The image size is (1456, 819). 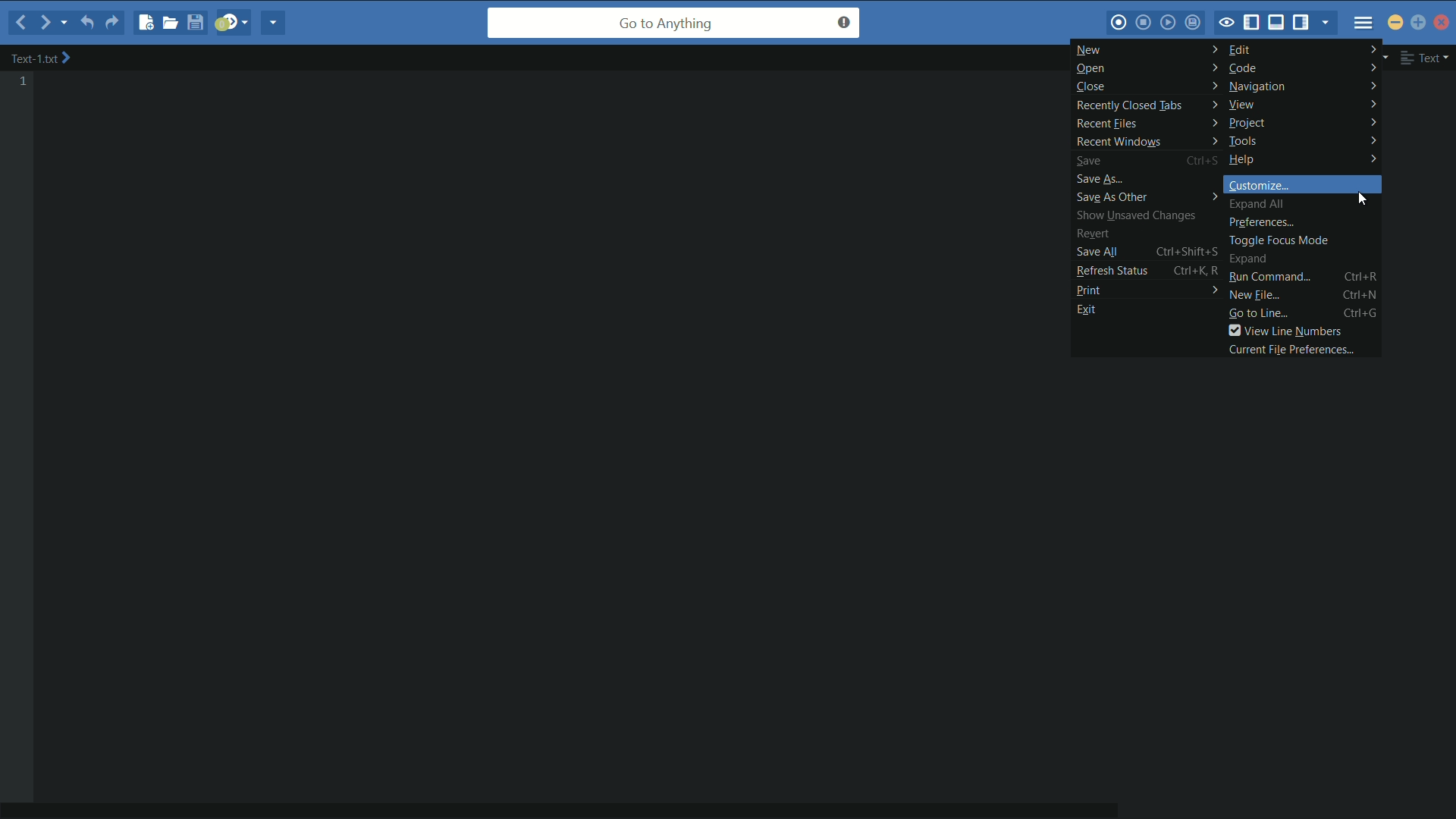 What do you see at coordinates (1147, 68) in the screenshot?
I see `open` at bounding box center [1147, 68].